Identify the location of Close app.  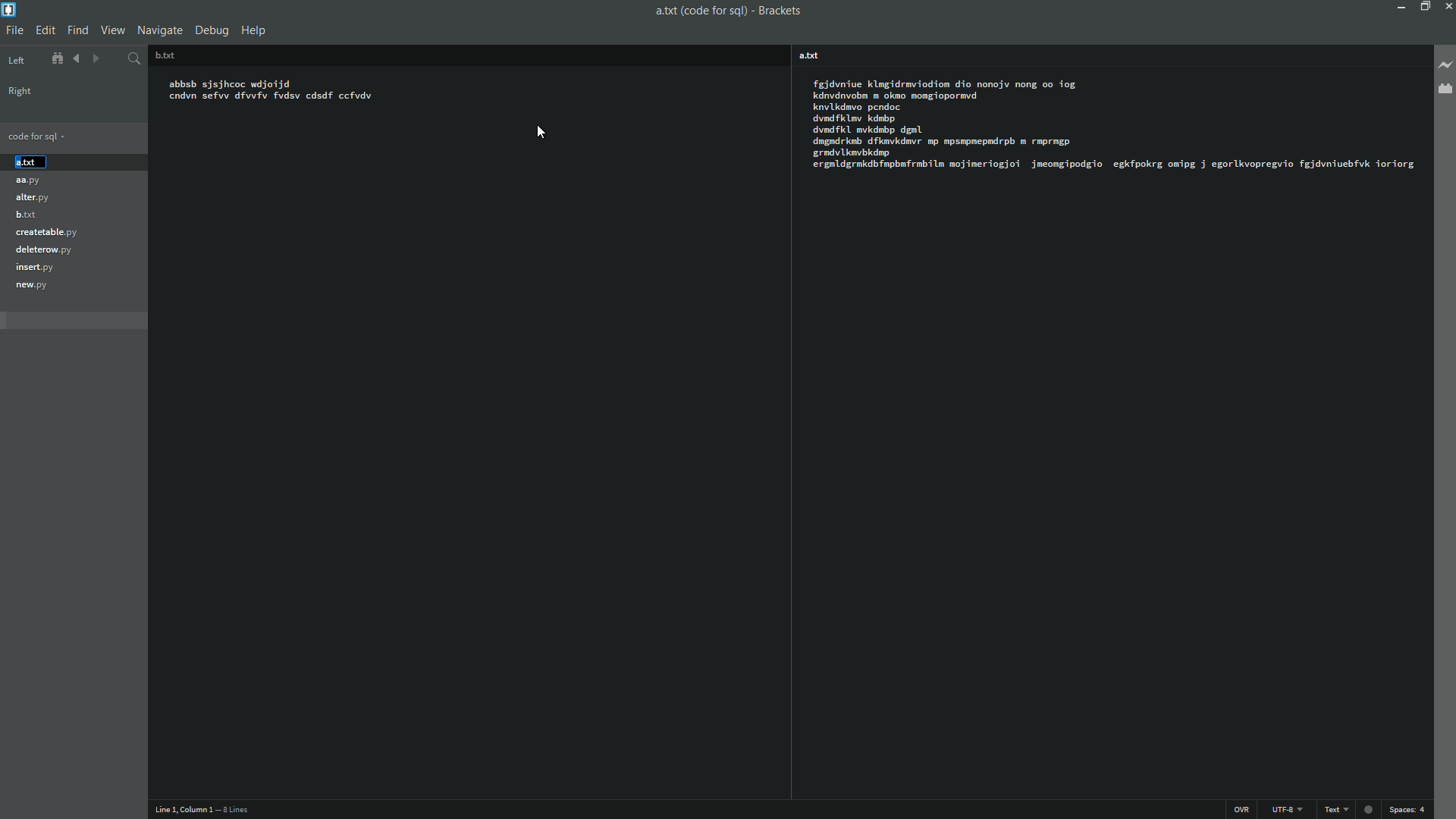
(1447, 6).